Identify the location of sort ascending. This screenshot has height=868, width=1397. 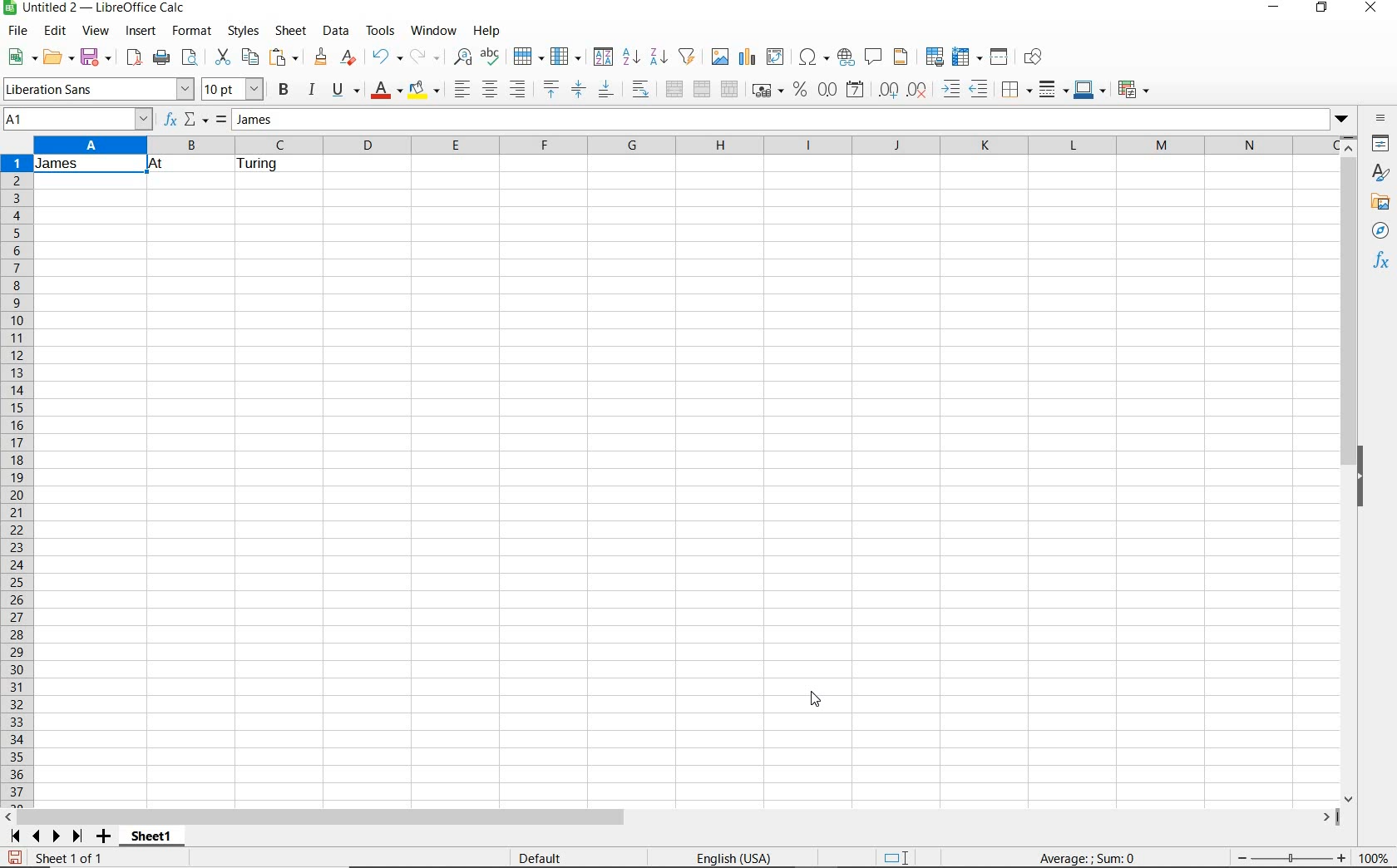
(630, 57).